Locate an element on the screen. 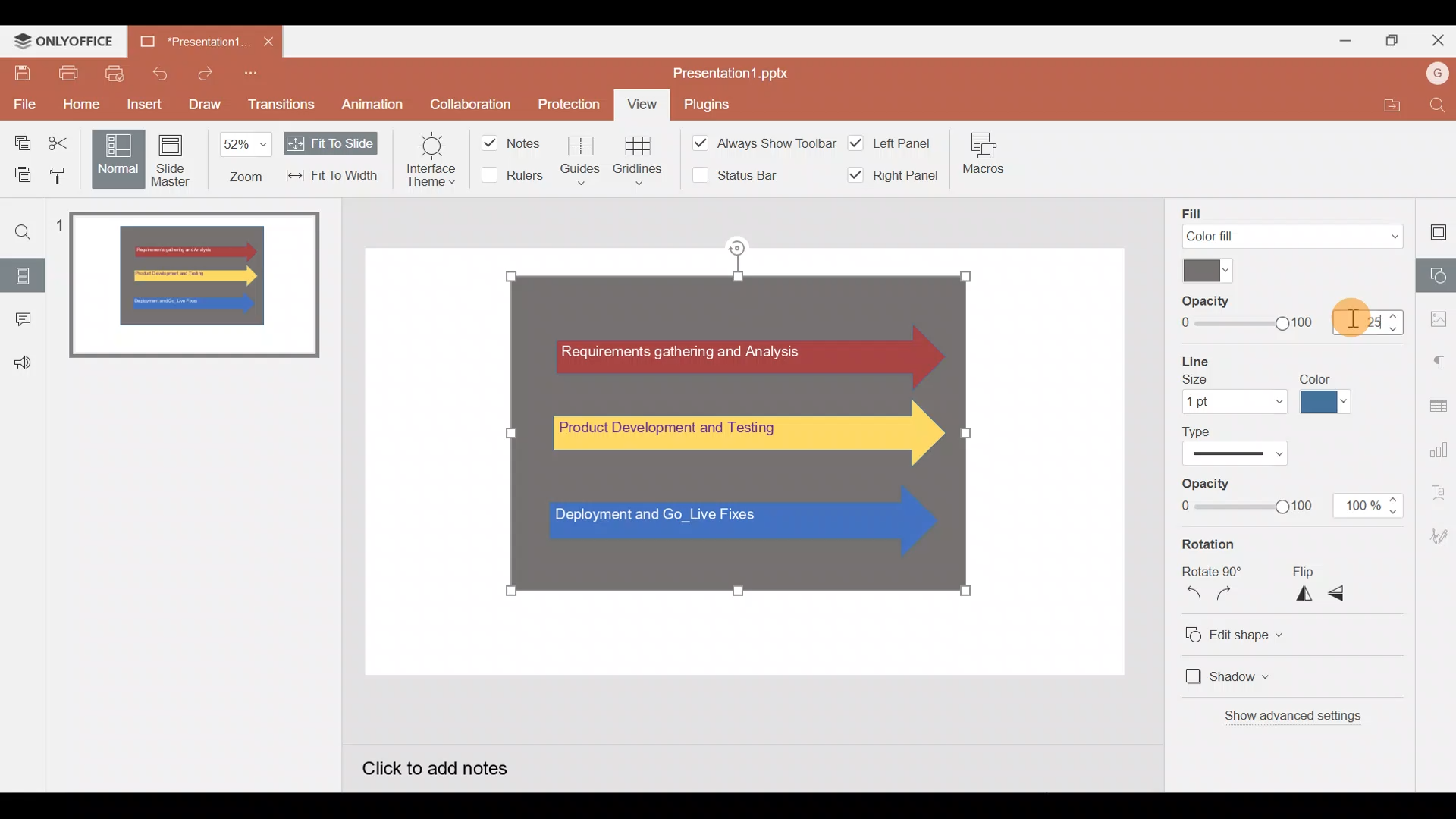 This screenshot has height=819, width=1456. Slide 1 is located at coordinates (196, 287).